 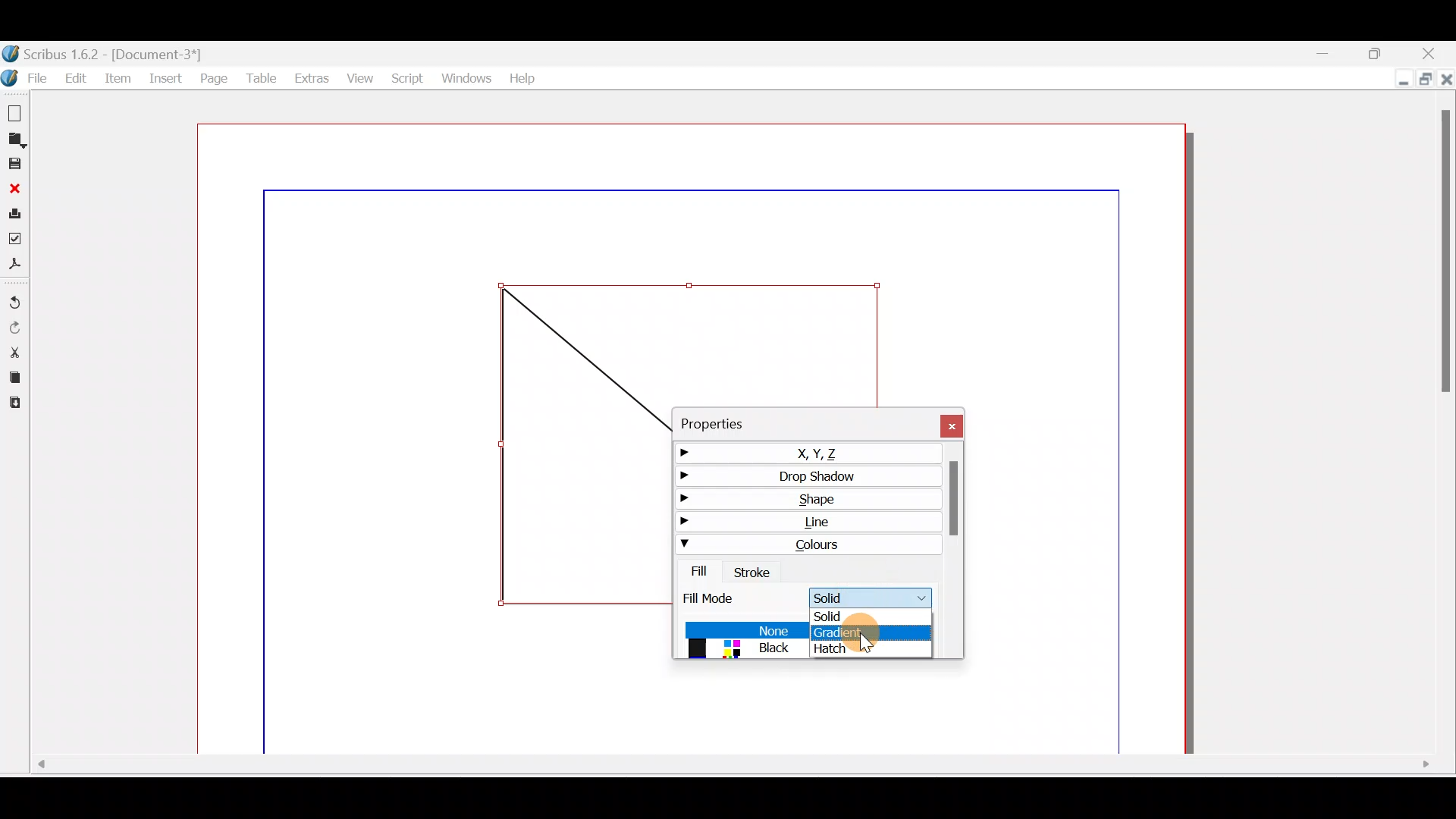 I want to click on Open, so click(x=17, y=139).